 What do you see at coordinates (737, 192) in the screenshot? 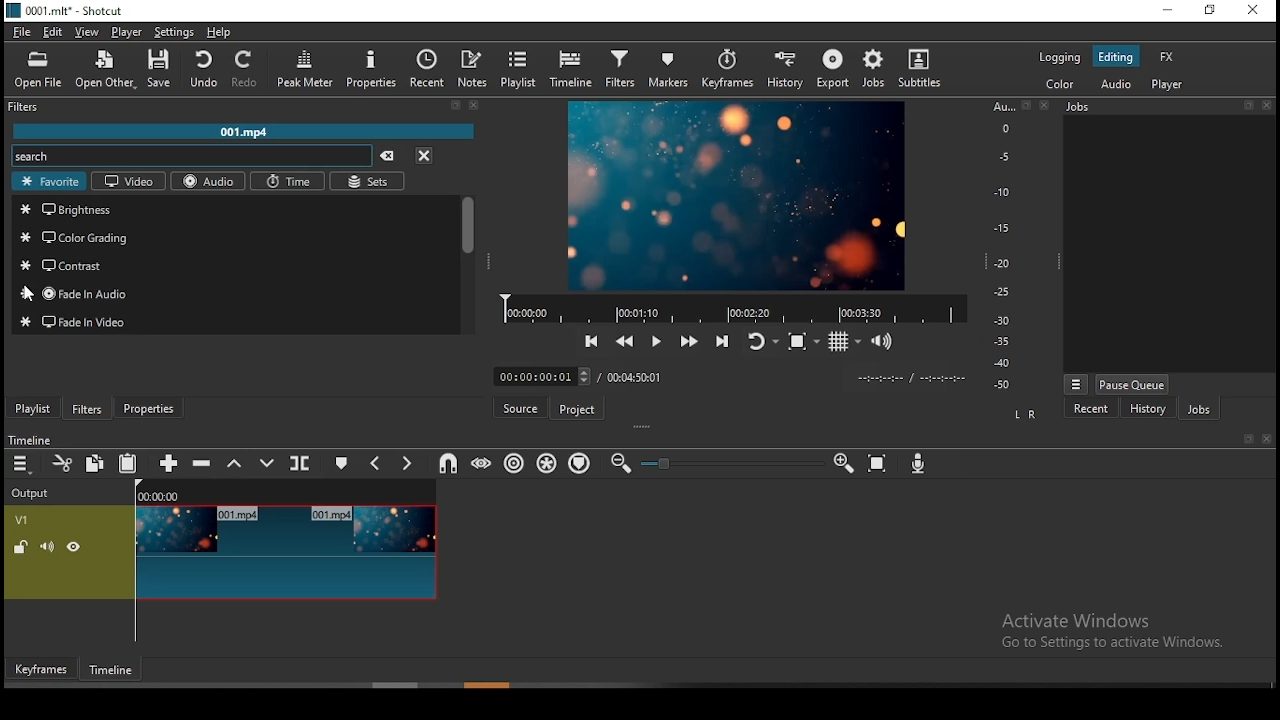
I see `preview` at bounding box center [737, 192].